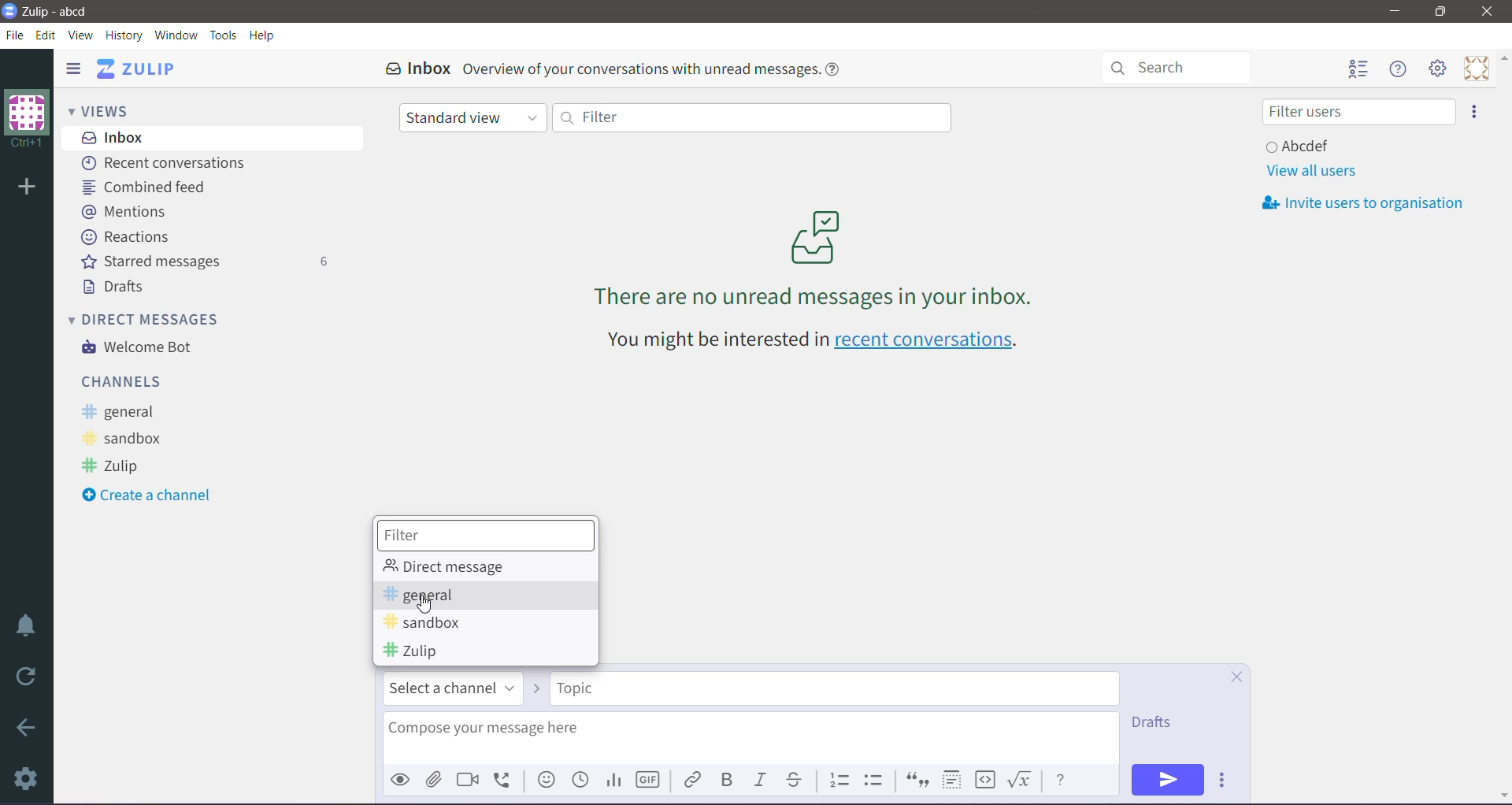 The width and height of the screenshot is (1512, 805). Describe the element at coordinates (128, 440) in the screenshot. I see `sandbox` at that location.